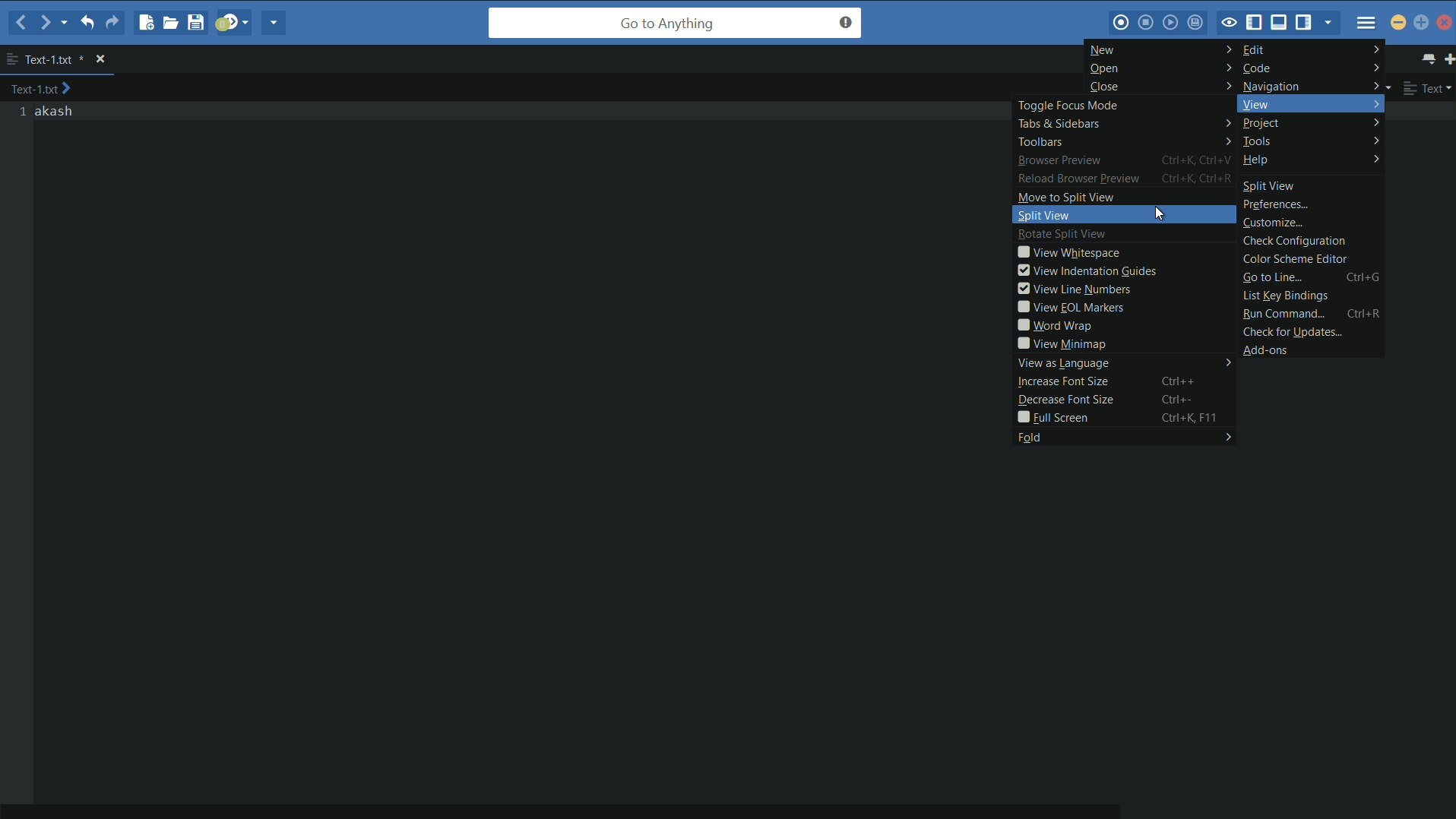 The width and height of the screenshot is (1456, 819). What do you see at coordinates (1312, 68) in the screenshot?
I see `code` at bounding box center [1312, 68].